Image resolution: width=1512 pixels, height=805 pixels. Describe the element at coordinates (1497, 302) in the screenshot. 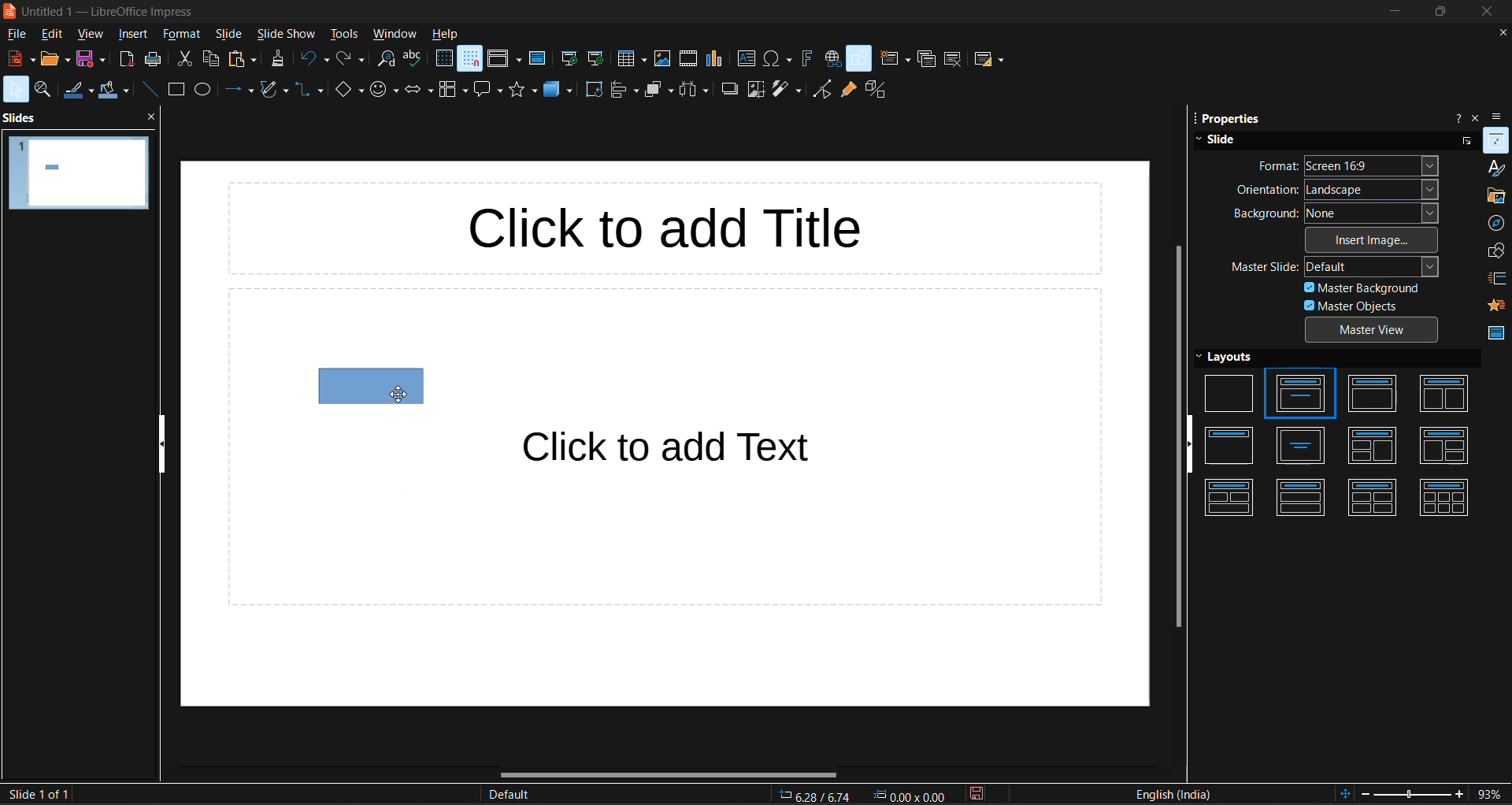

I see `animation` at that location.